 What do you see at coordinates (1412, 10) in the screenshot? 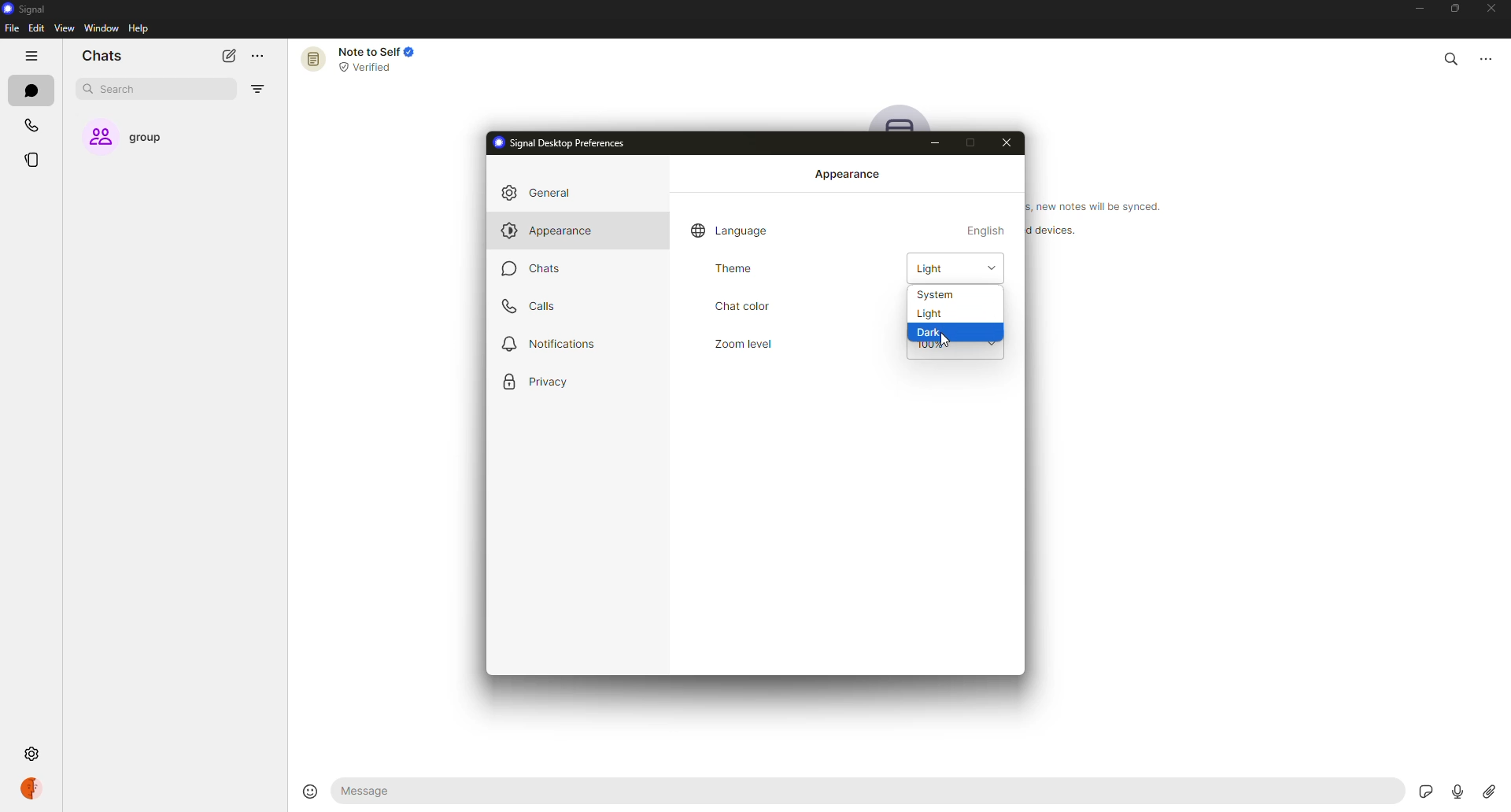
I see `minimize` at bounding box center [1412, 10].